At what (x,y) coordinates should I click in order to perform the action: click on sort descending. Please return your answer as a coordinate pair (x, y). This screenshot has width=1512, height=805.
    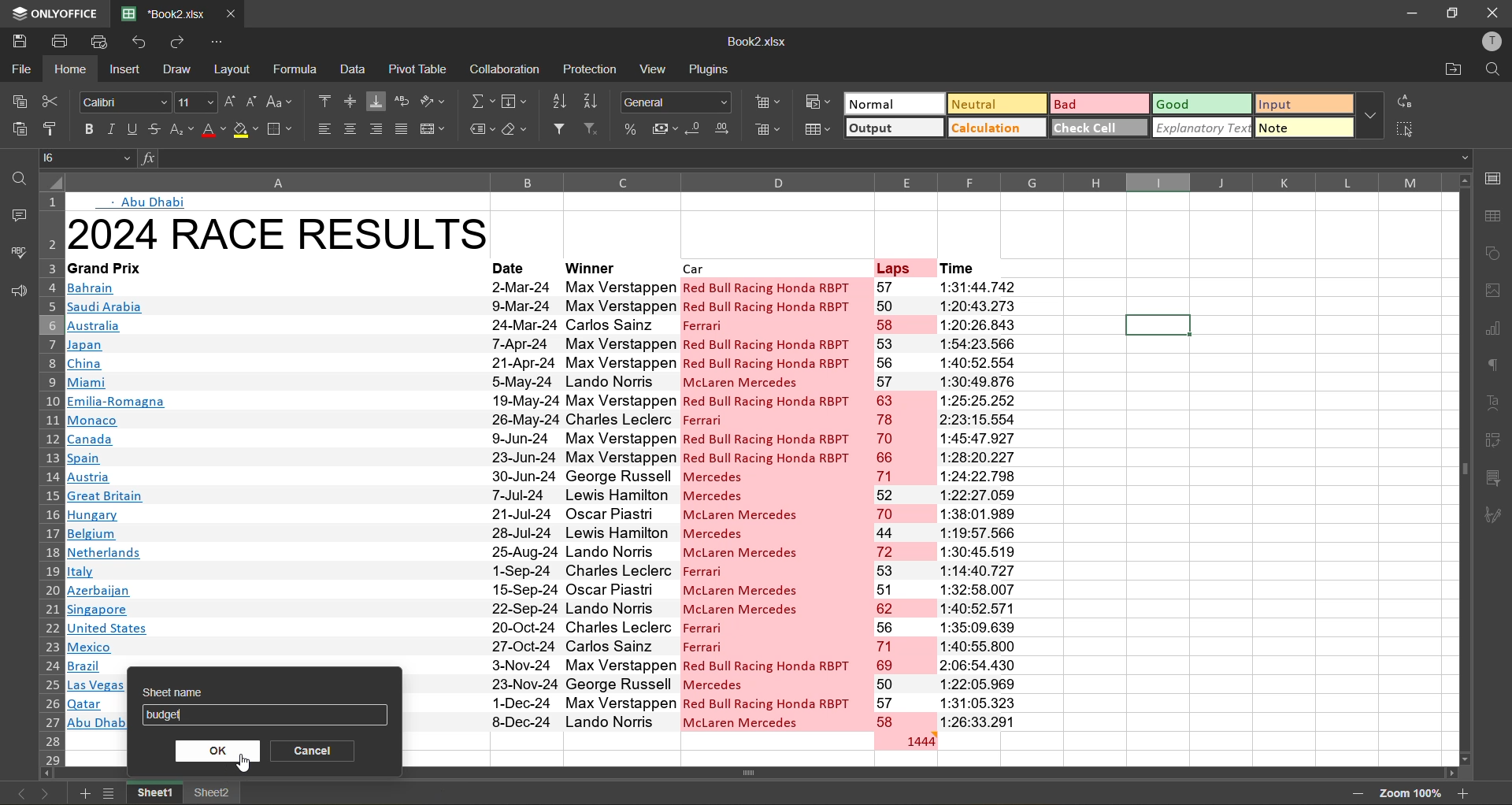
    Looking at the image, I should click on (595, 99).